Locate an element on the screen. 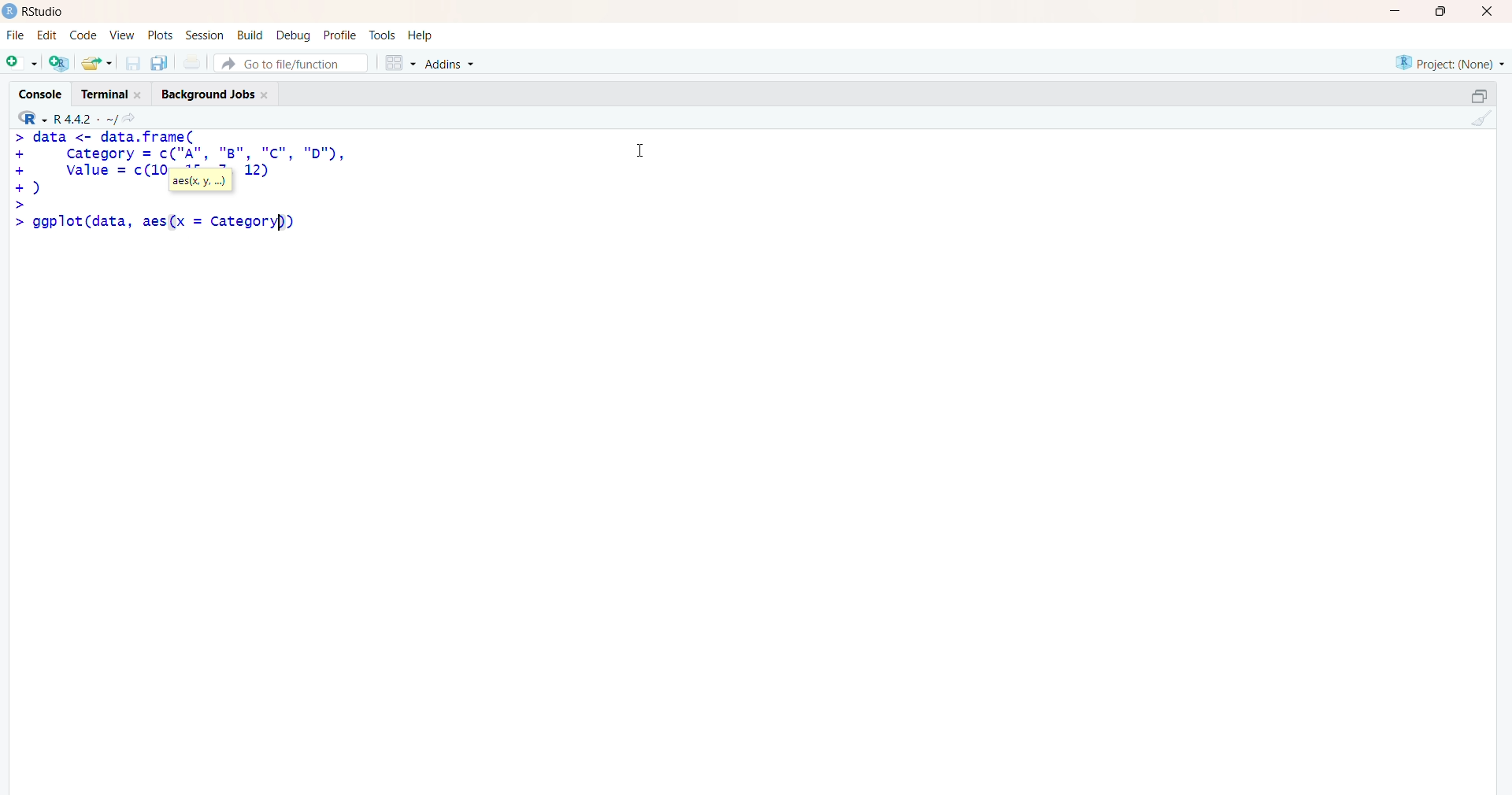  profile is located at coordinates (339, 36).